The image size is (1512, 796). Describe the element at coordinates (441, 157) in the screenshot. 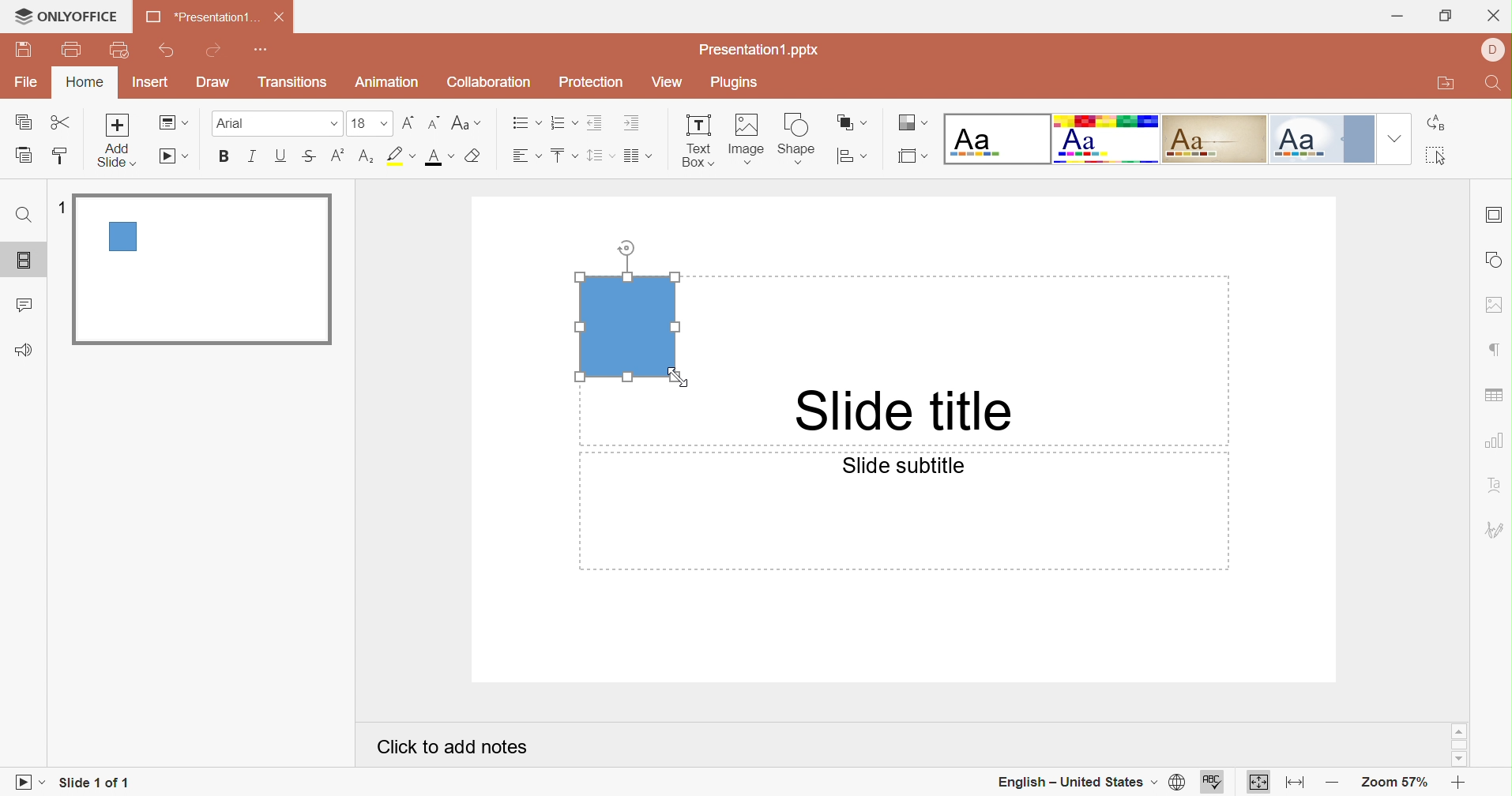

I see `Font color` at that location.